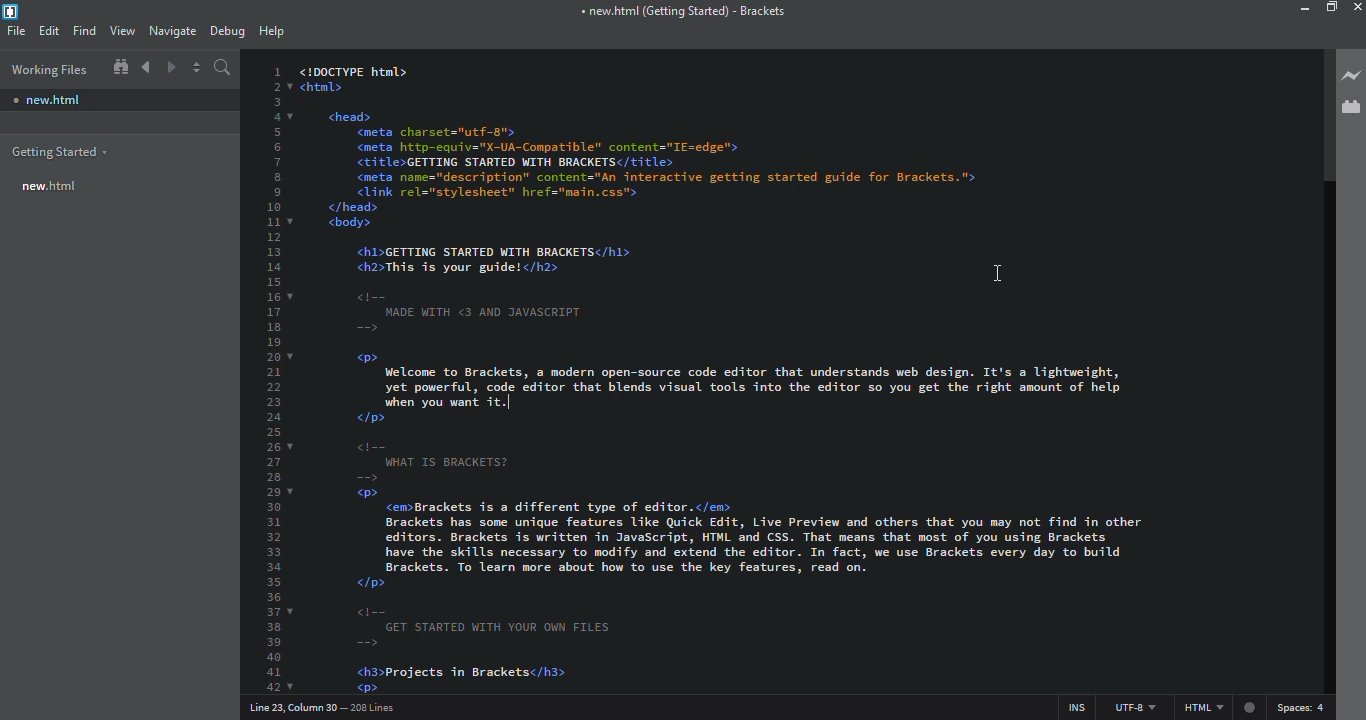 The width and height of the screenshot is (1366, 720). What do you see at coordinates (59, 150) in the screenshot?
I see `getting started` at bounding box center [59, 150].